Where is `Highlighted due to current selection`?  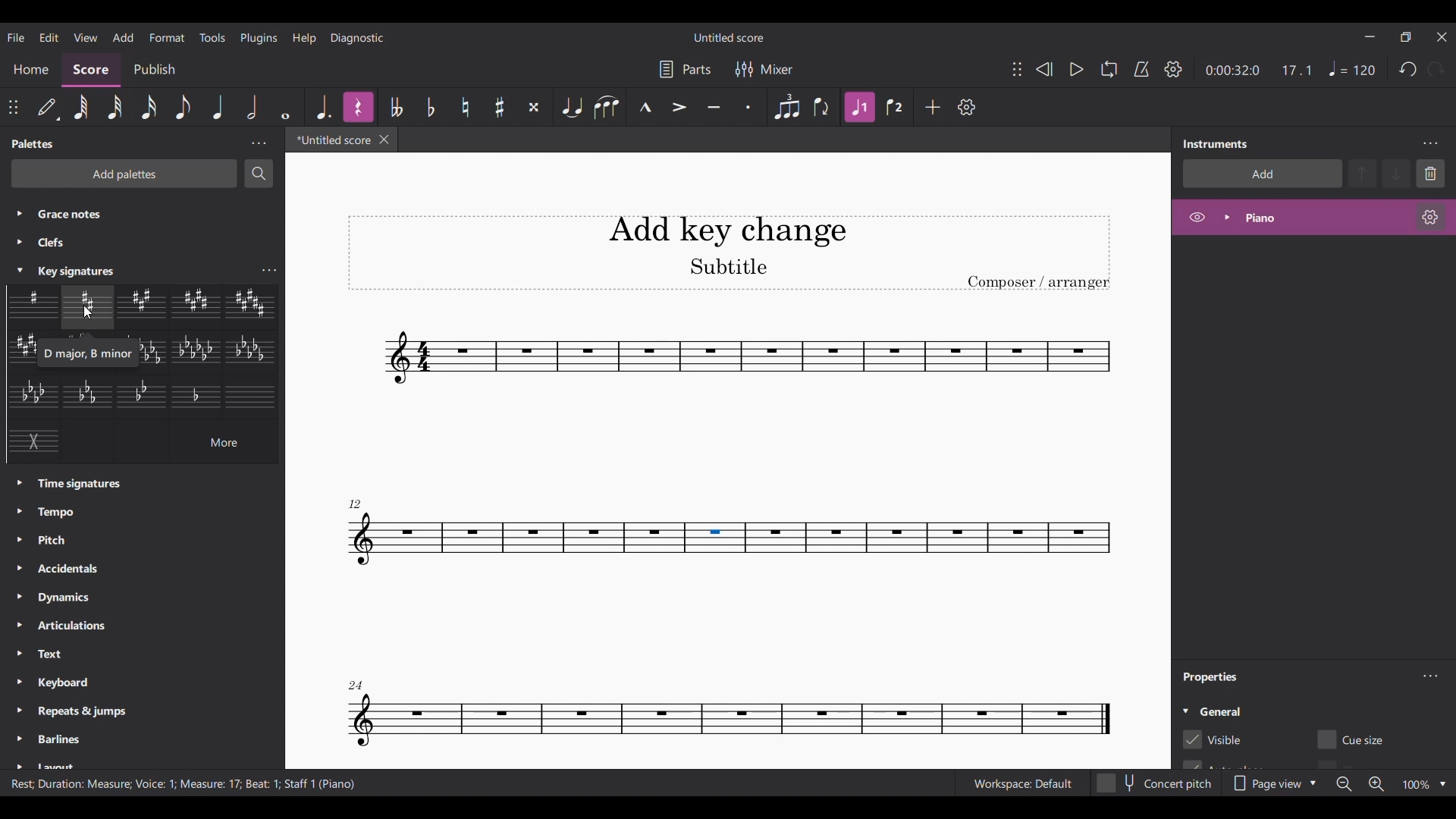 Highlighted due to current selection is located at coordinates (860, 107).